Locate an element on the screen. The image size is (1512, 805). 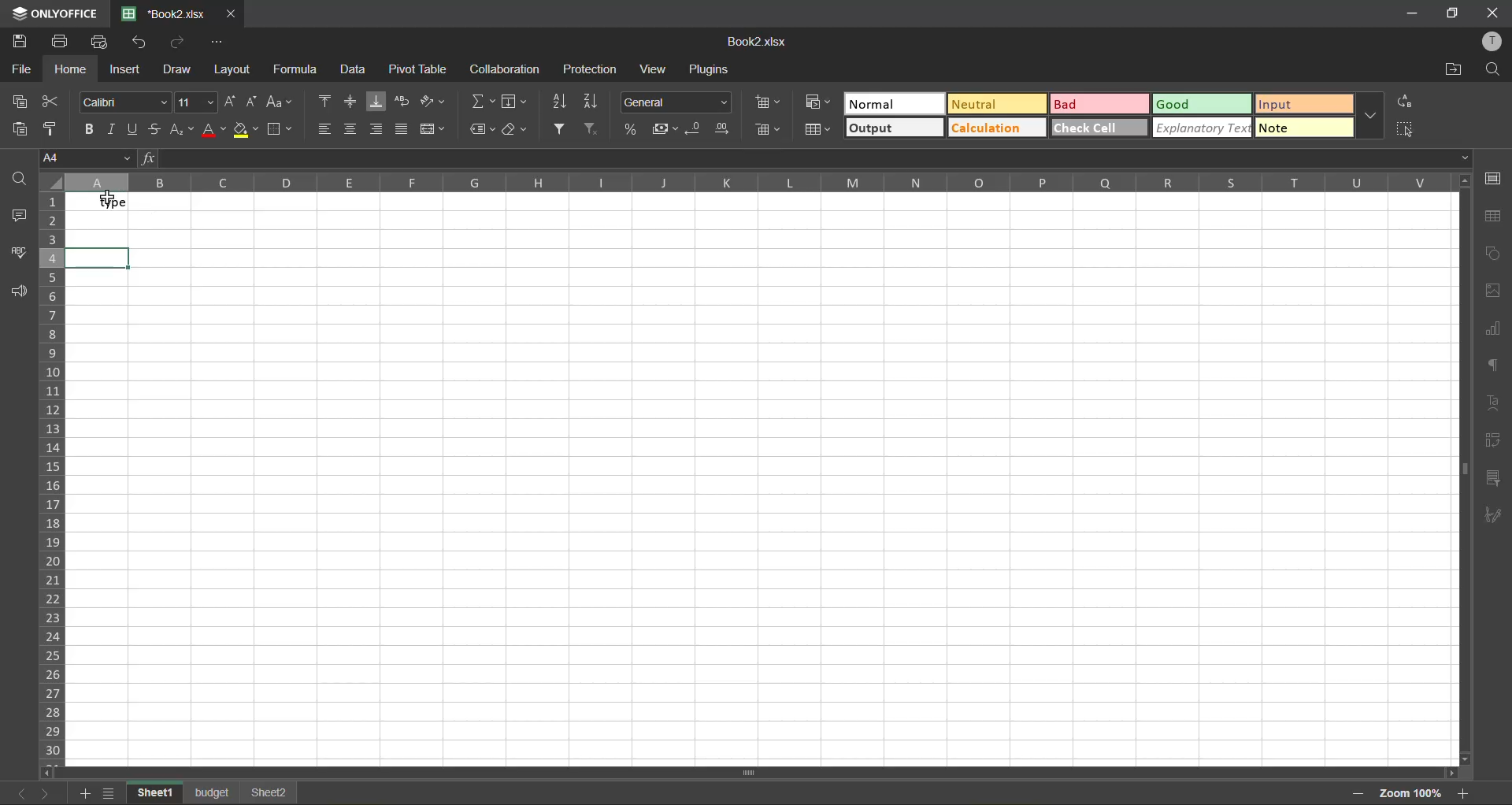
conditional formatting is located at coordinates (816, 102).